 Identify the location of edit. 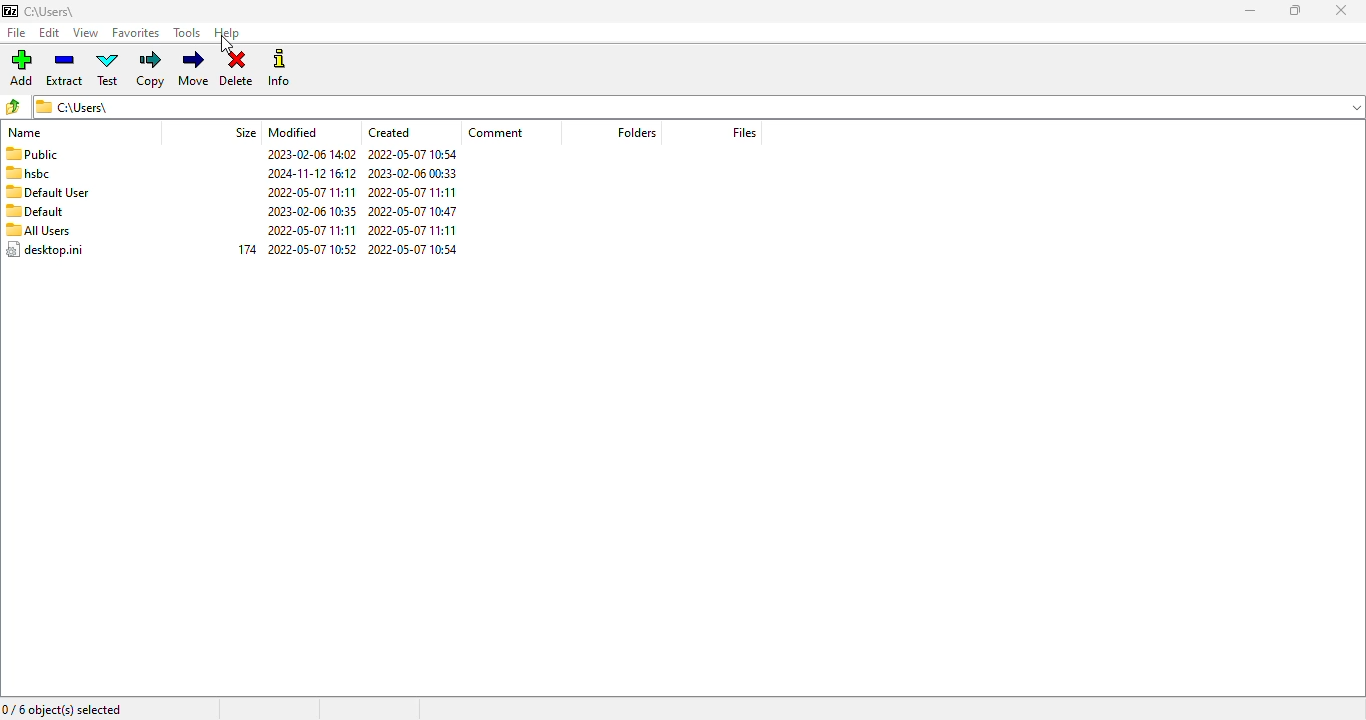
(49, 32).